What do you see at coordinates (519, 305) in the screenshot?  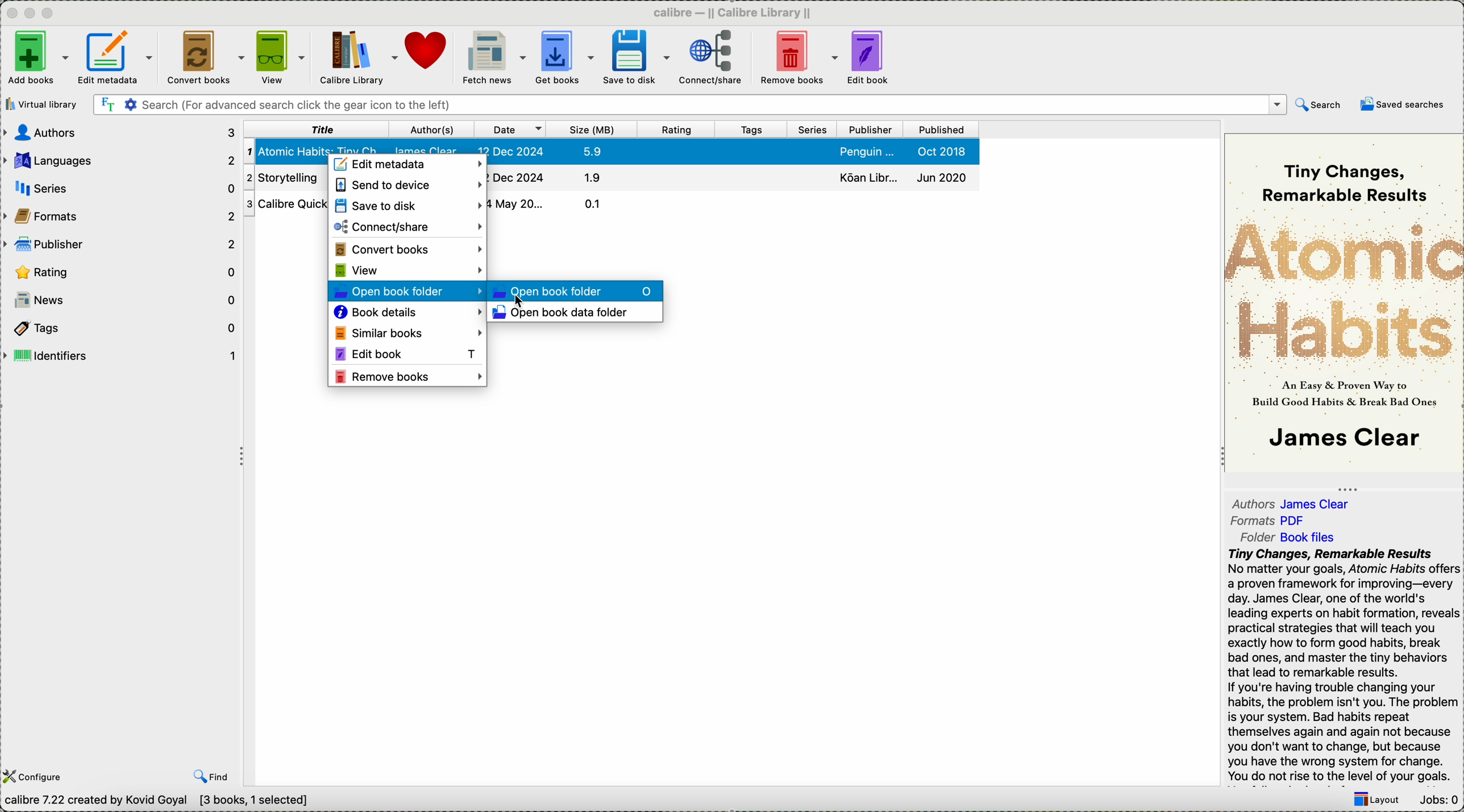 I see `Cursor` at bounding box center [519, 305].